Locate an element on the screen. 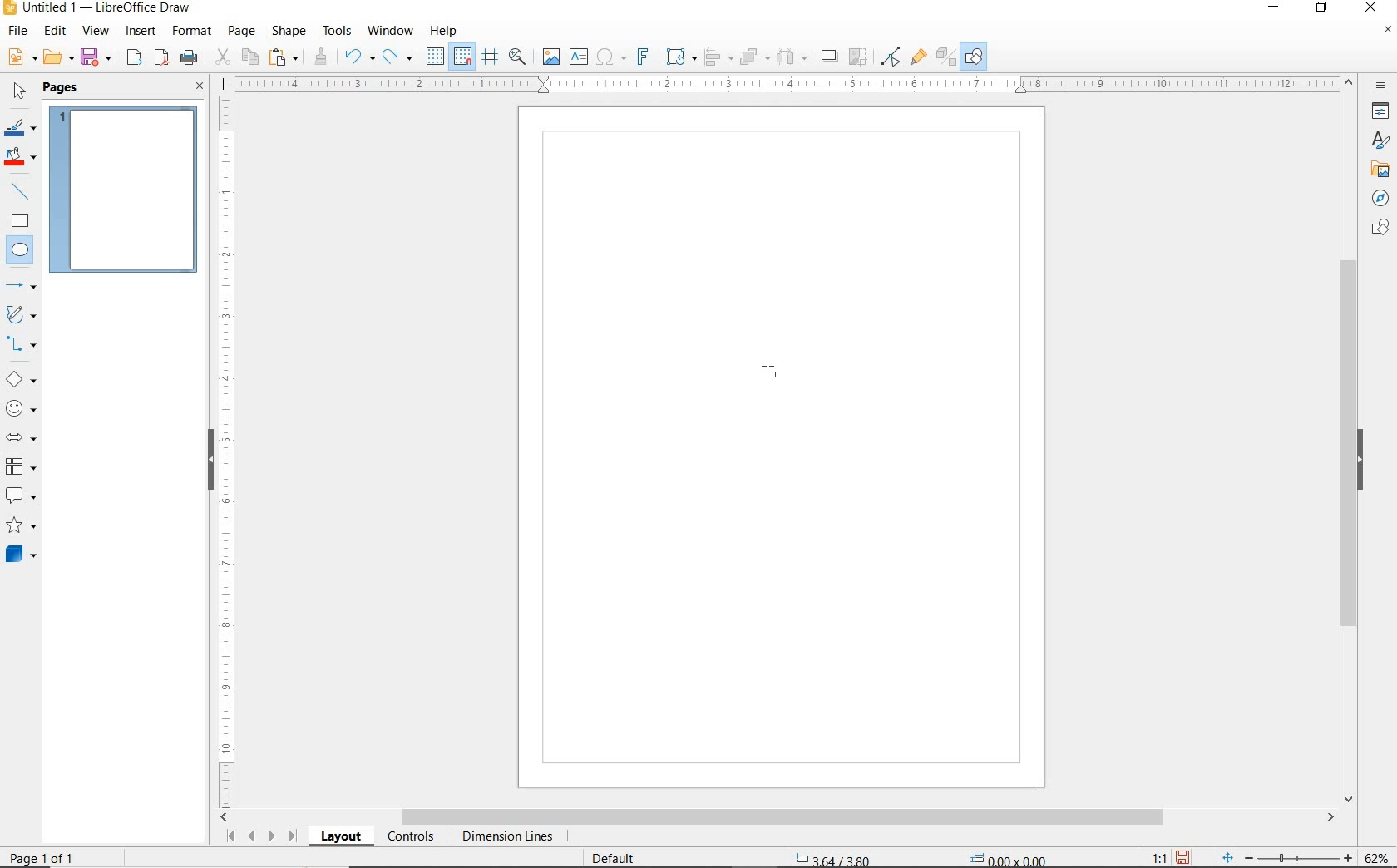 The height and width of the screenshot is (868, 1397). CURVES AND POLYGONS is located at coordinates (20, 316).